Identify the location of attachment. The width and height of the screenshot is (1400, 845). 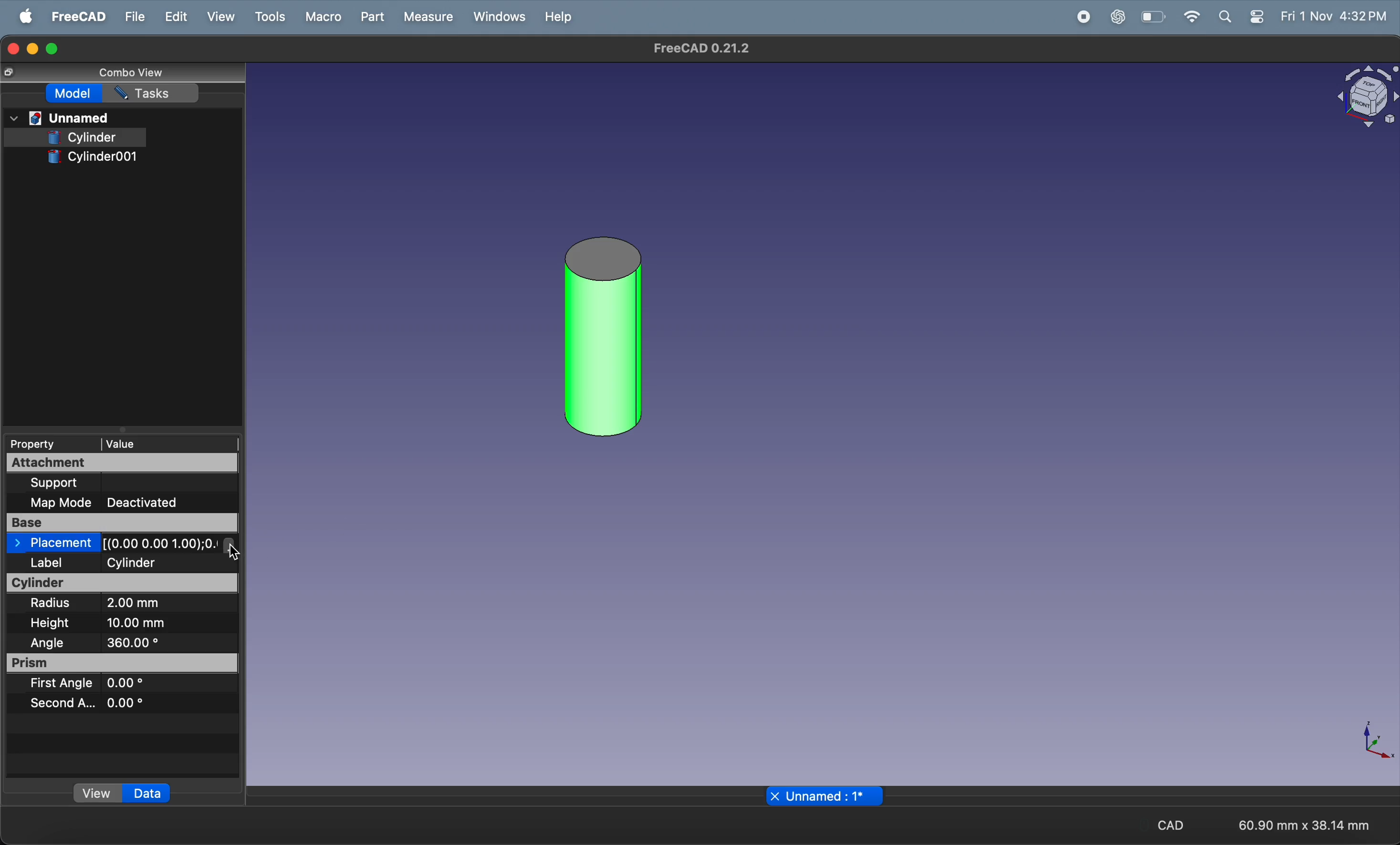
(123, 463).